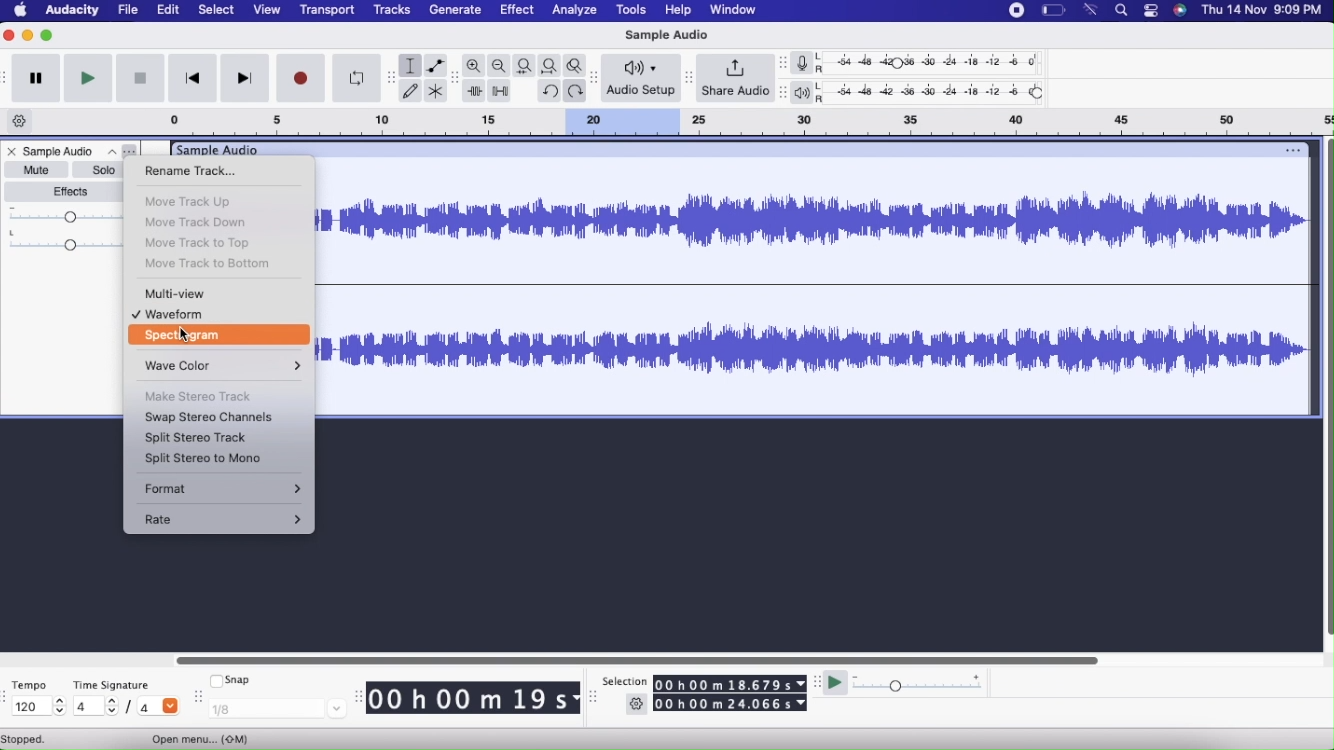  I want to click on Select, so click(219, 10).